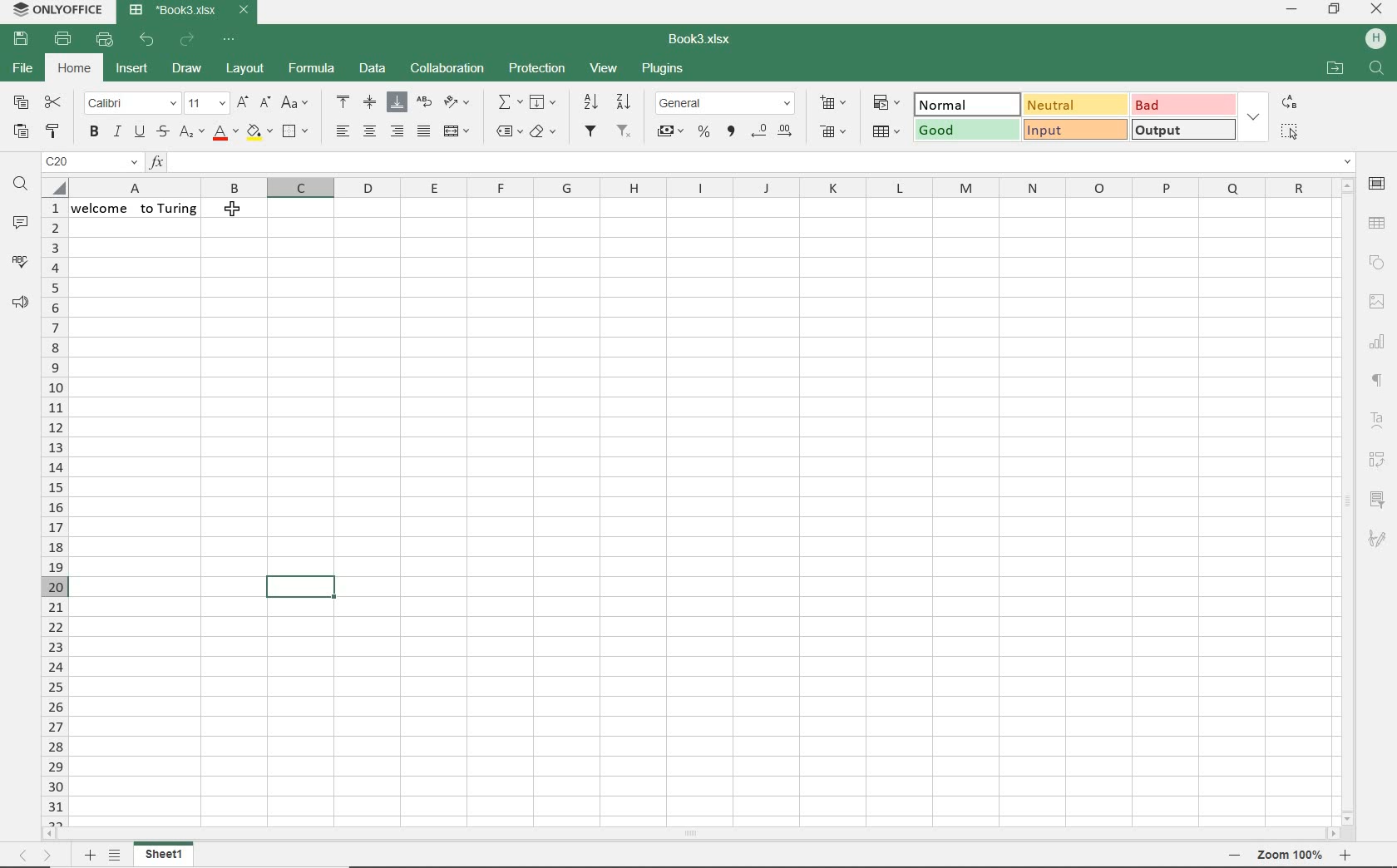  I want to click on slicer, so click(1378, 498).